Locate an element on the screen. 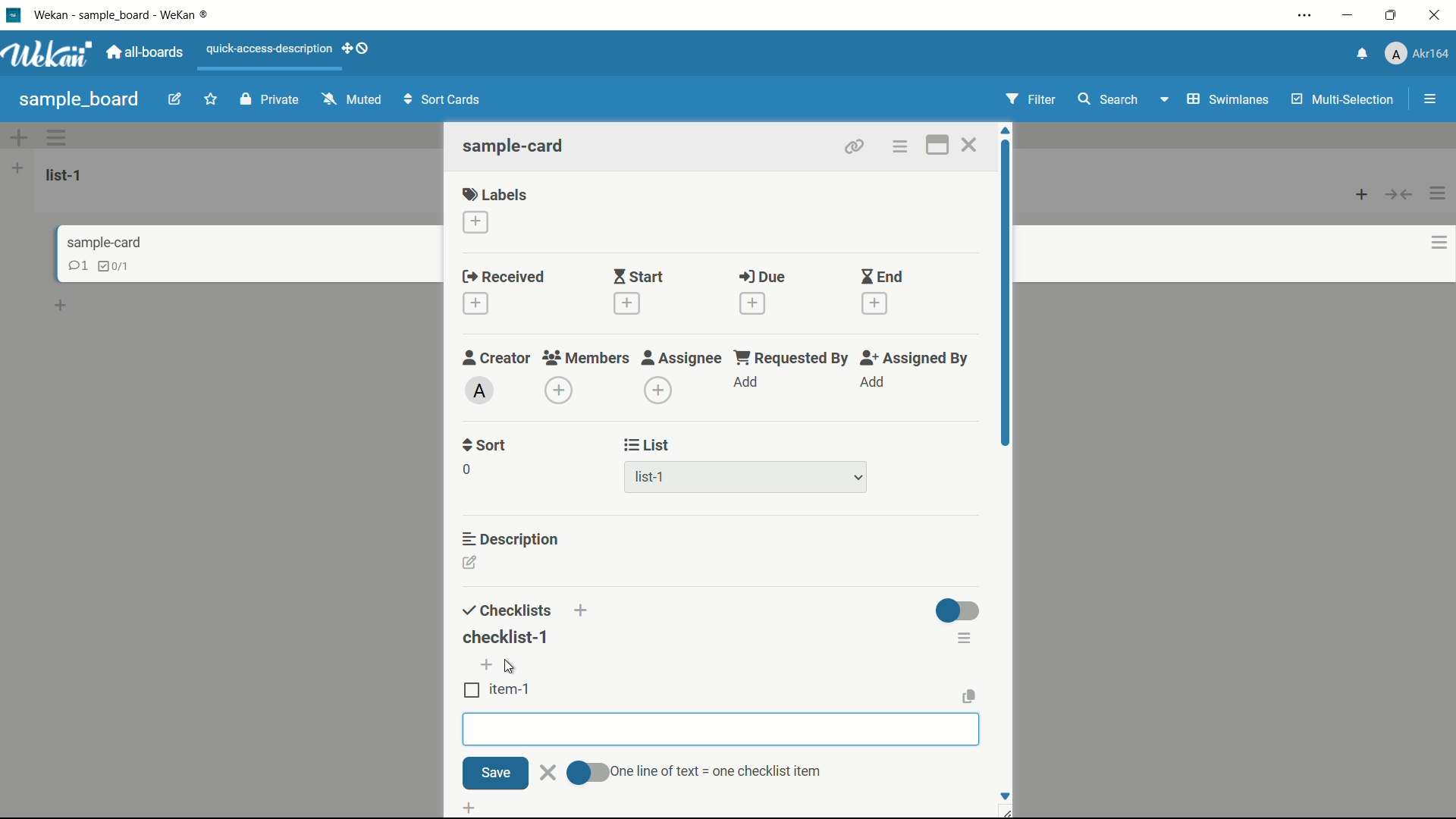 This screenshot has height=819, width=1456. settings and more is located at coordinates (1305, 17).